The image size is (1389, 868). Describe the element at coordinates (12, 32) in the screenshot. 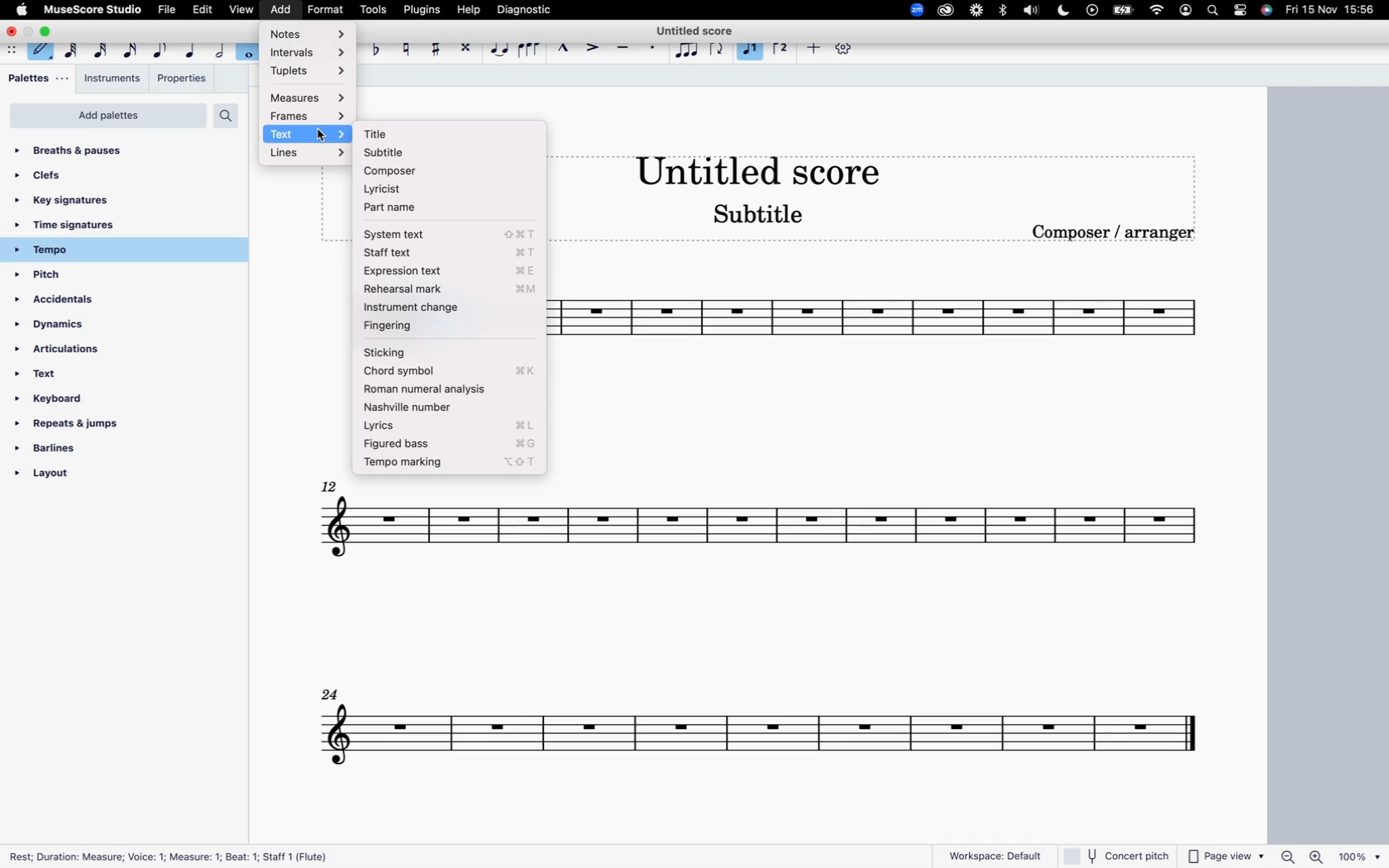

I see `close` at that location.